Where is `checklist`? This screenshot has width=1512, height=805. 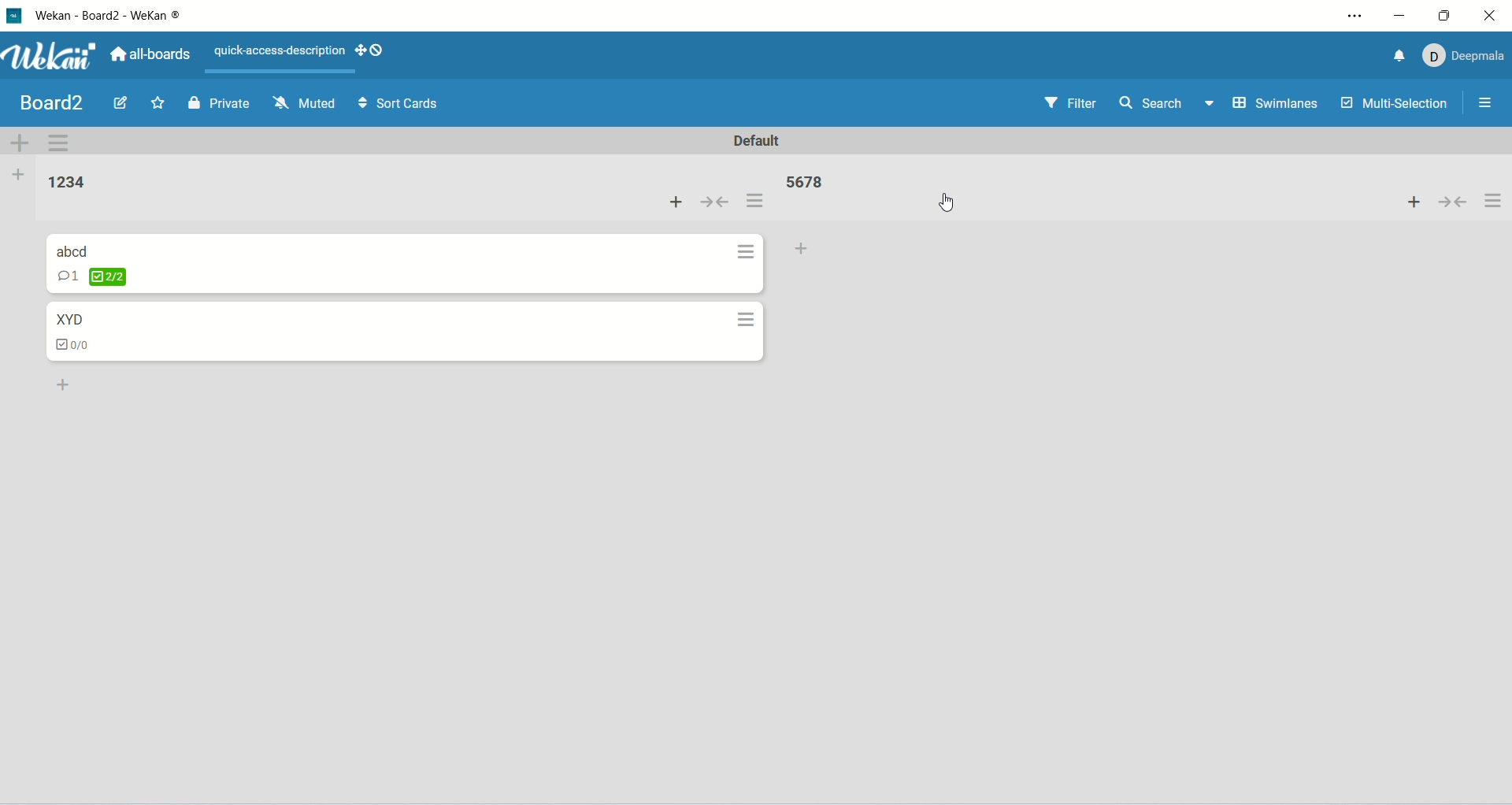
checklist is located at coordinates (97, 277).